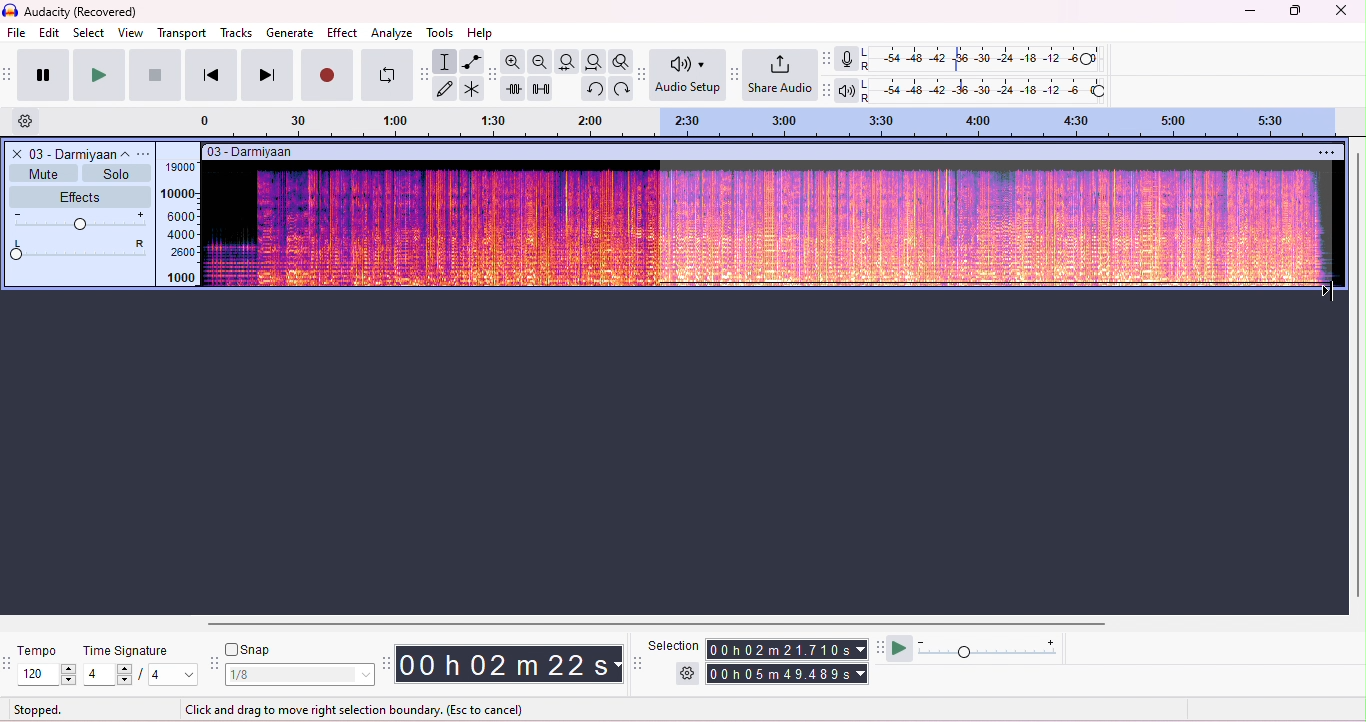 This screenshot has height=722, width=1366. Describe the element at coordinates (50, 32) in the screenshot. I see `edit` at that location.